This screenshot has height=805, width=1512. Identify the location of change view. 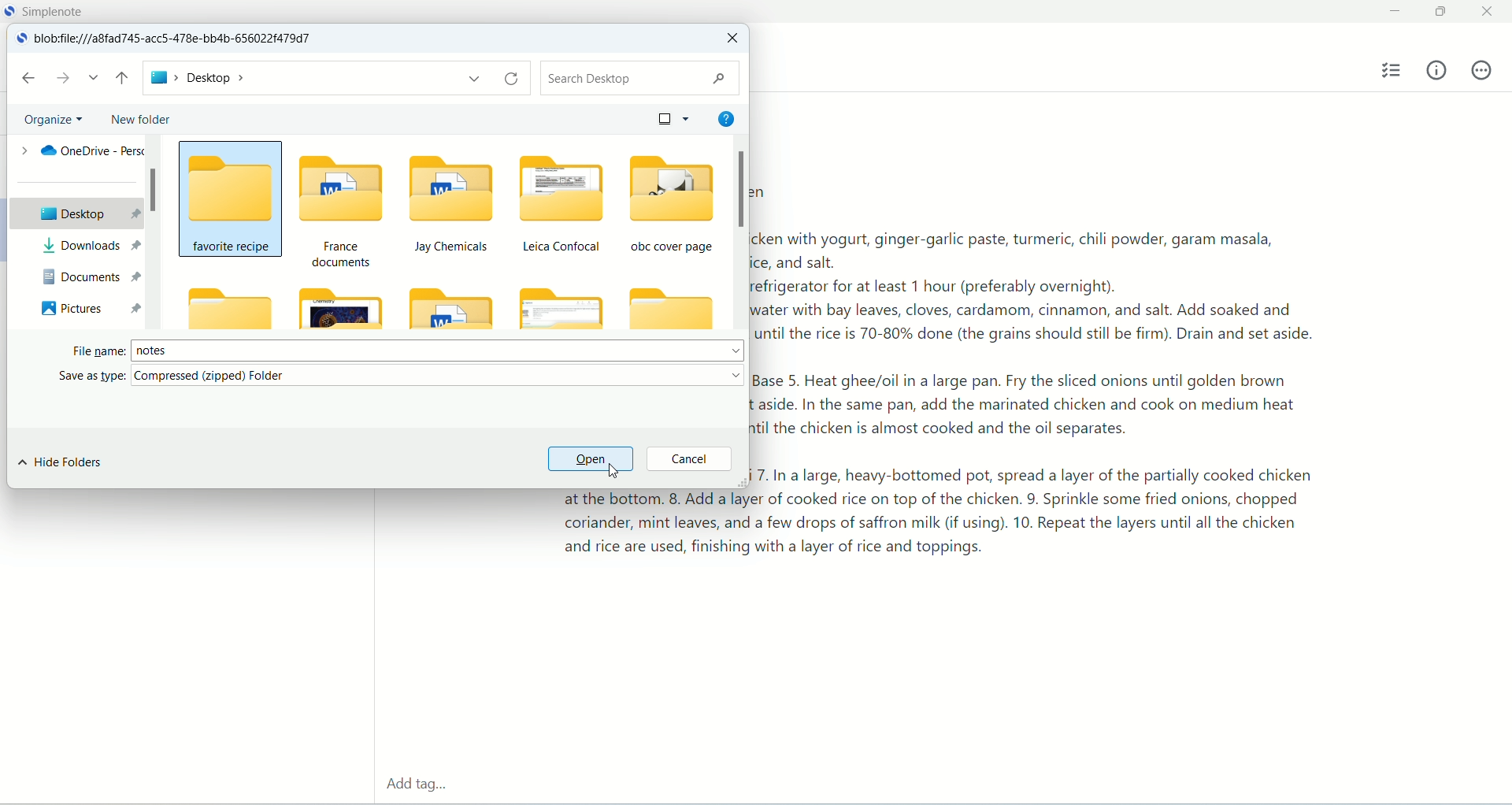
(669, 117).